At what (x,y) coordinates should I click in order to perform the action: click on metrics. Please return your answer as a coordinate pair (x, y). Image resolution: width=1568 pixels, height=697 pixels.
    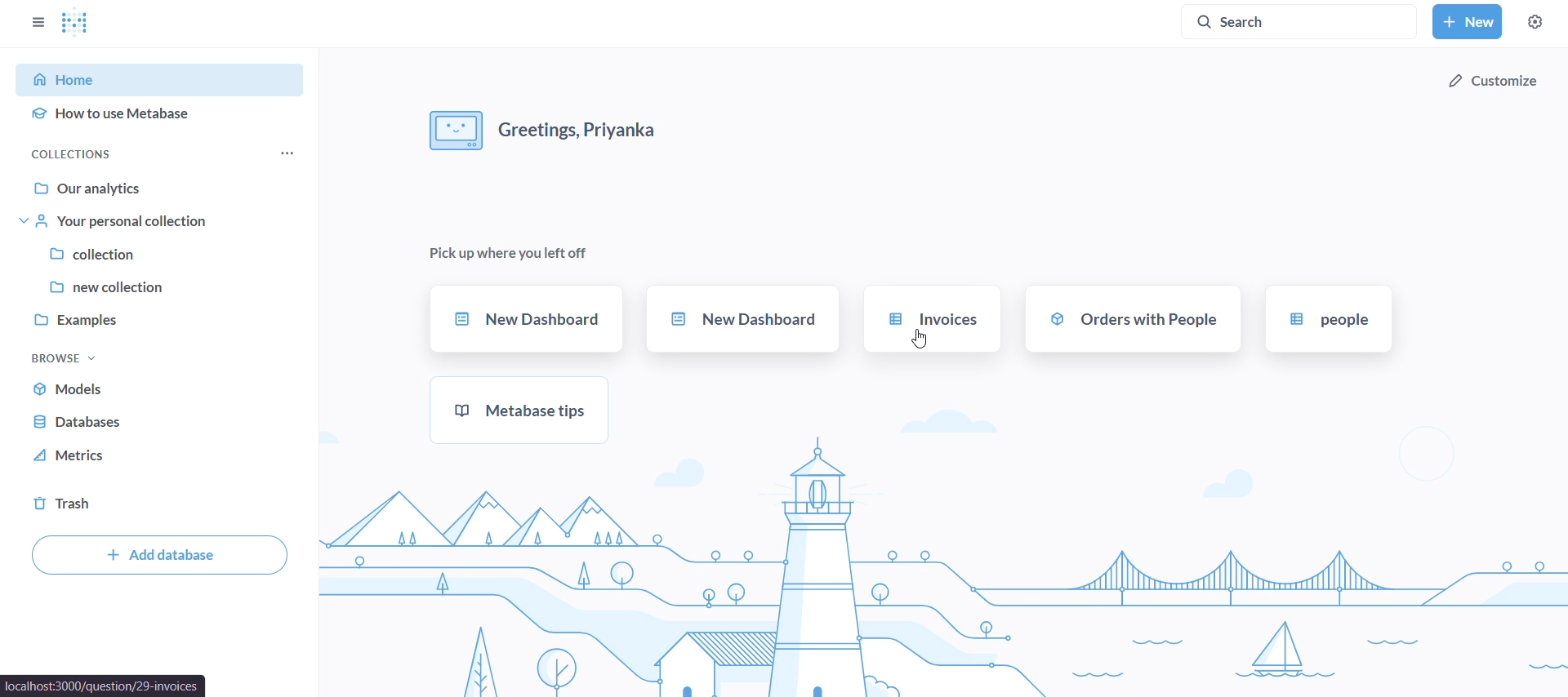
    Looking at the image, I should click on (69, 455).